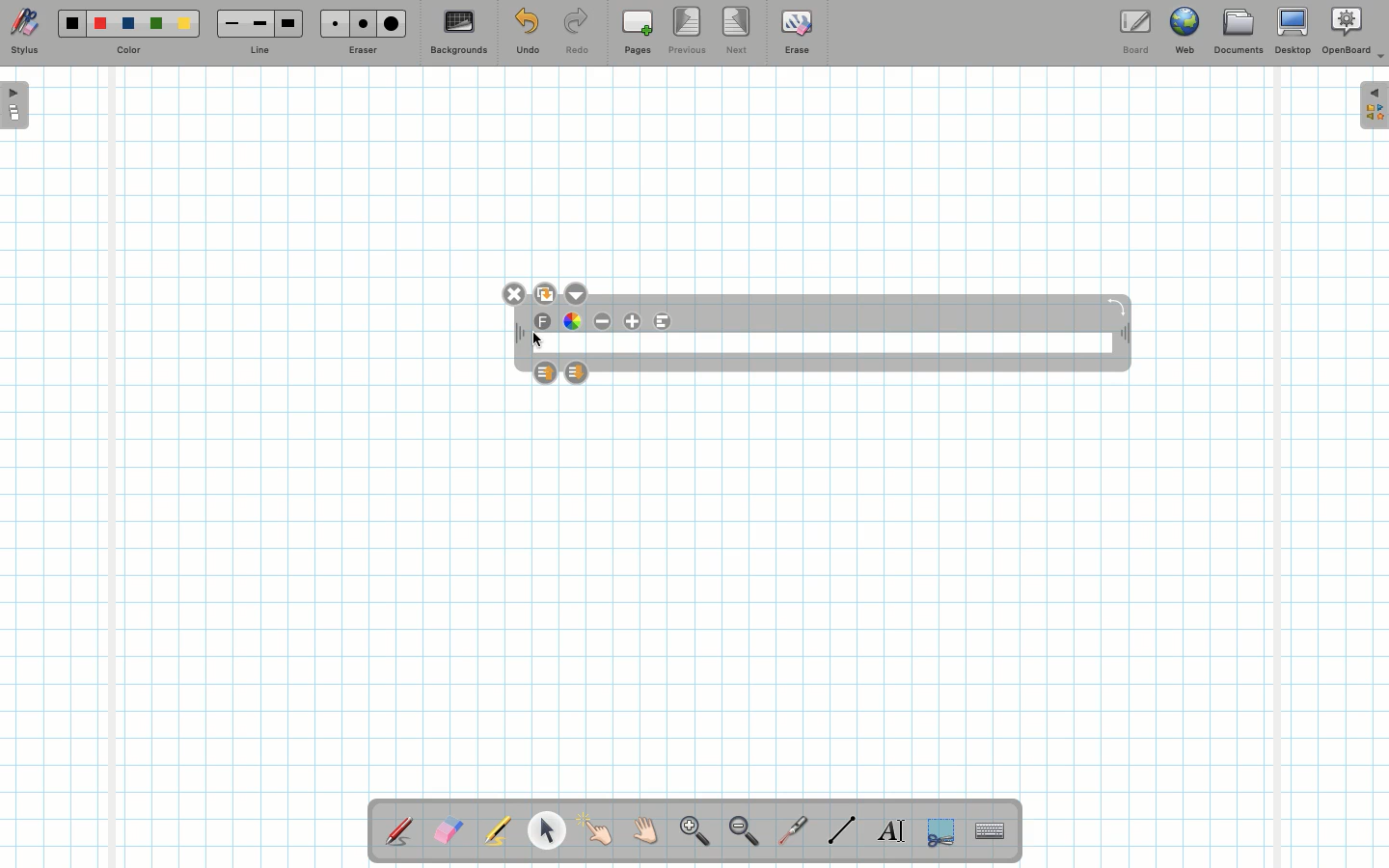 Image resolution: width=1389 pixels, height=868 pixels. I want to click on Color, so click(126, 51).